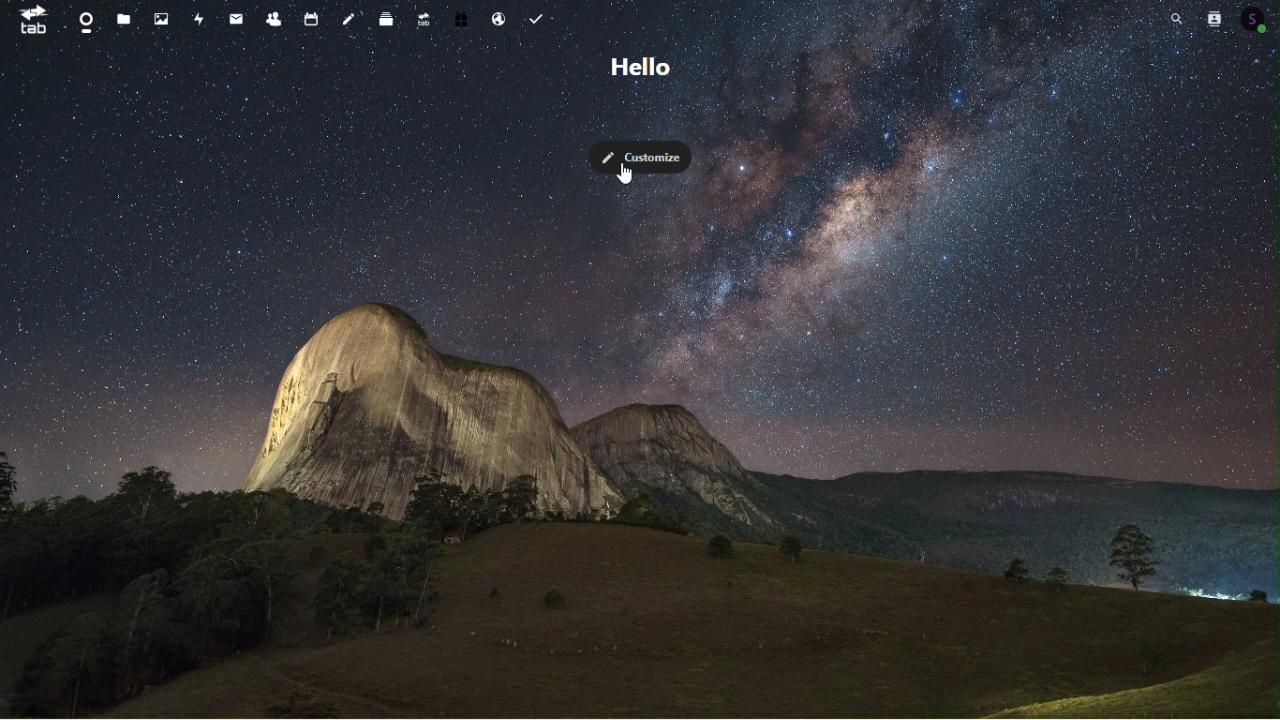 This screenshot has height=720, width=1280. I want to click on Contacts, so click(1216, 20).